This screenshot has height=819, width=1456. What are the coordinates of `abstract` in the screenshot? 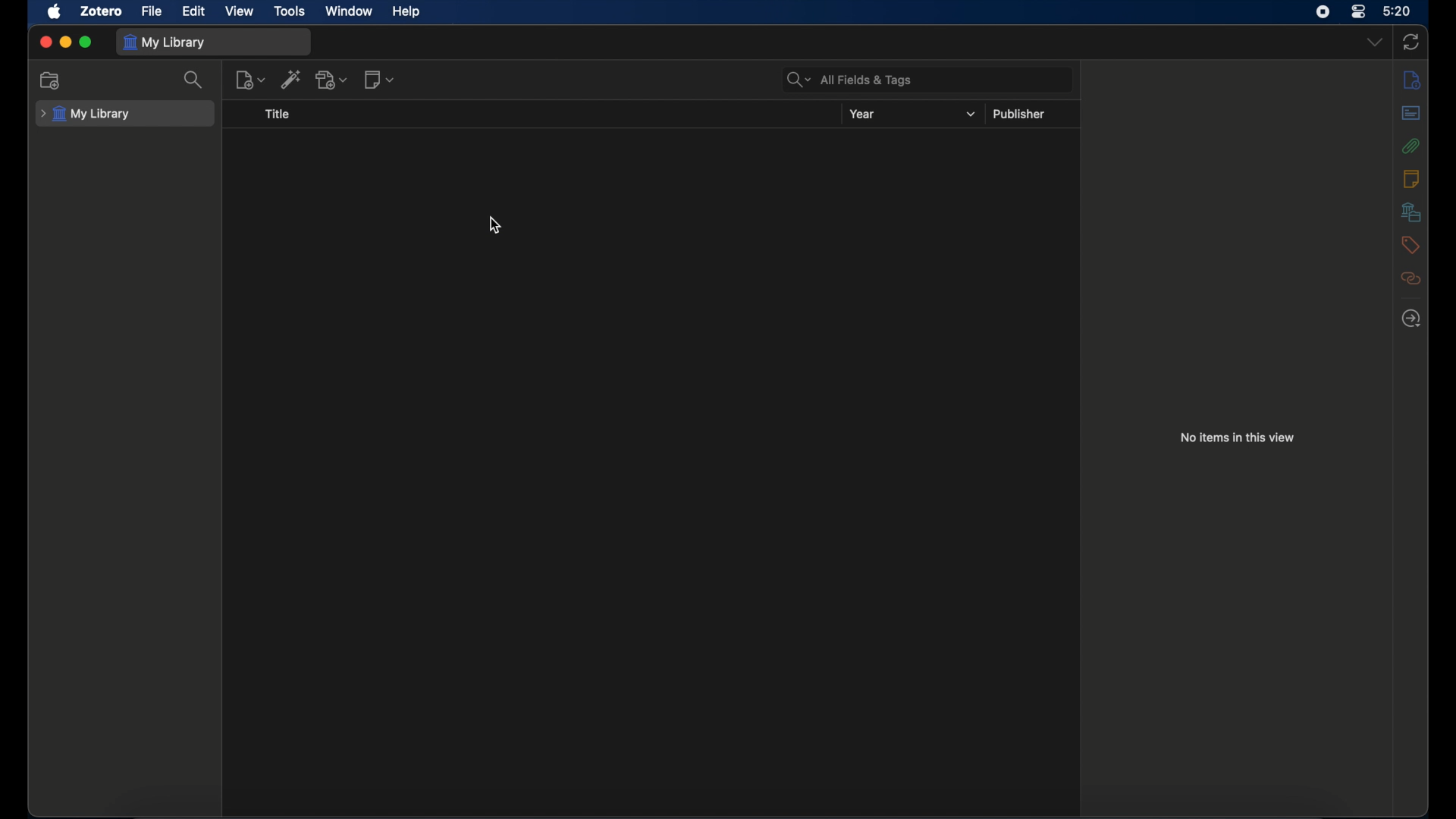 It's located at (1411, 112).